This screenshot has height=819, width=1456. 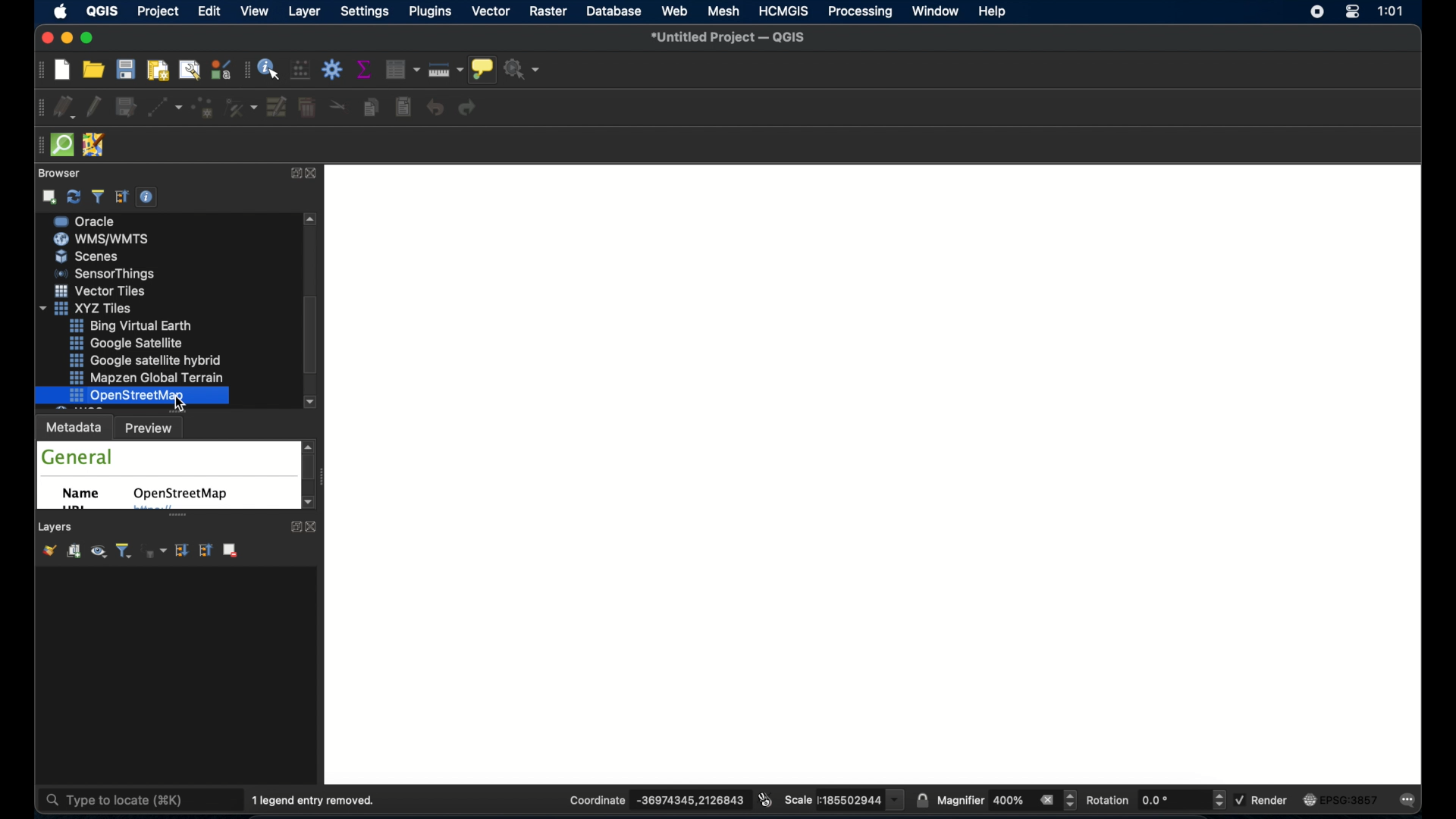 What do you see at coordinates (1390, 12) in the screenshot?
I see `time` at bounding box center [1390, 12].